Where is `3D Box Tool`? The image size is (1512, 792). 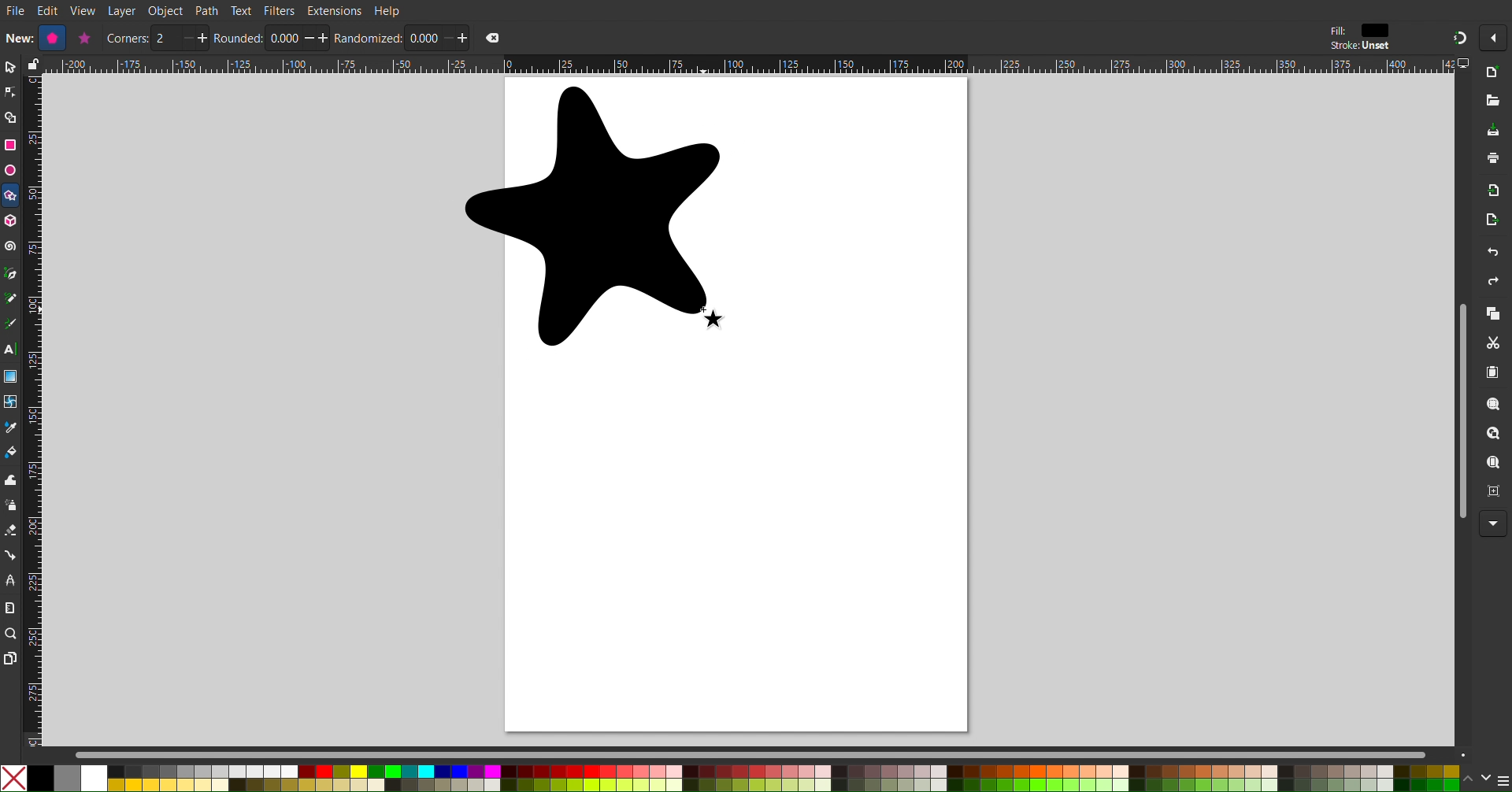 3D Box Tool is located at coordinates (11, 220).